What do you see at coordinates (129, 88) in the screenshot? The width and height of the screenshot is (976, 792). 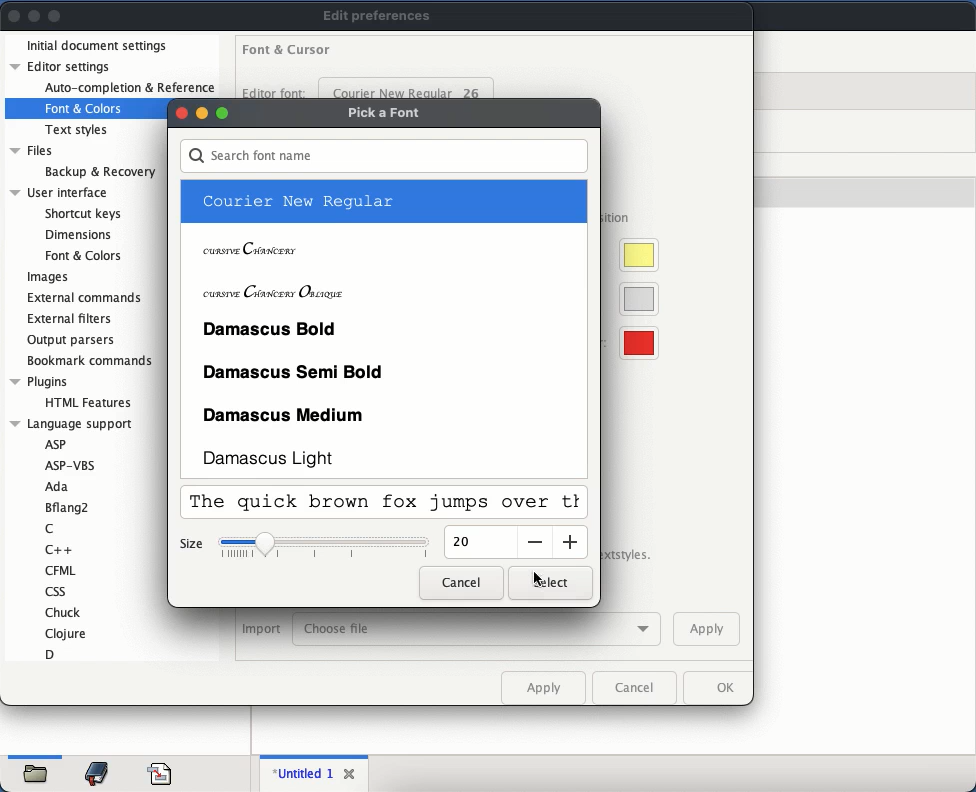 I see `auto completion` at bounding box center [129, 88].